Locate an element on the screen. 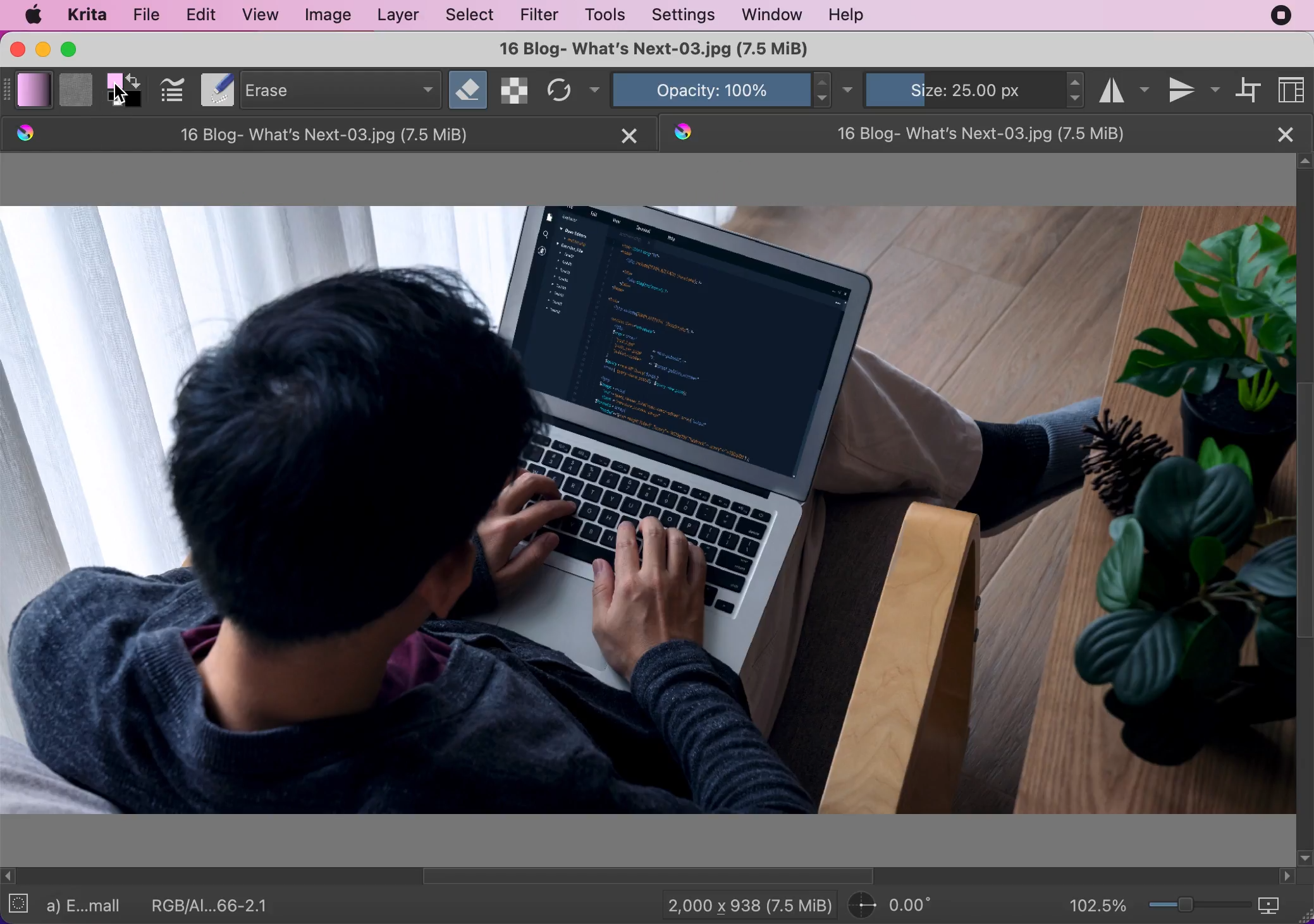 This screenshot has width=1314, height=924. edit brush settings is located at coordinates (174, 90).